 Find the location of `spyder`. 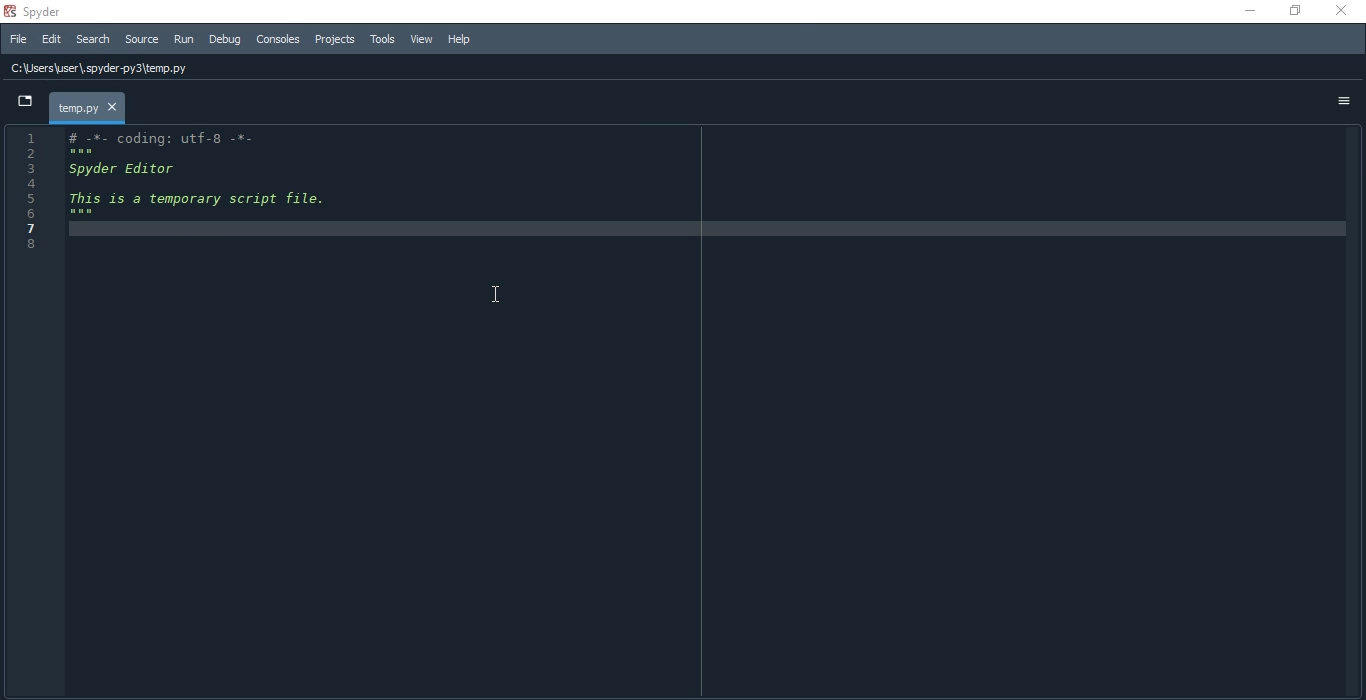

spyder is located at coordinates (44, 10).